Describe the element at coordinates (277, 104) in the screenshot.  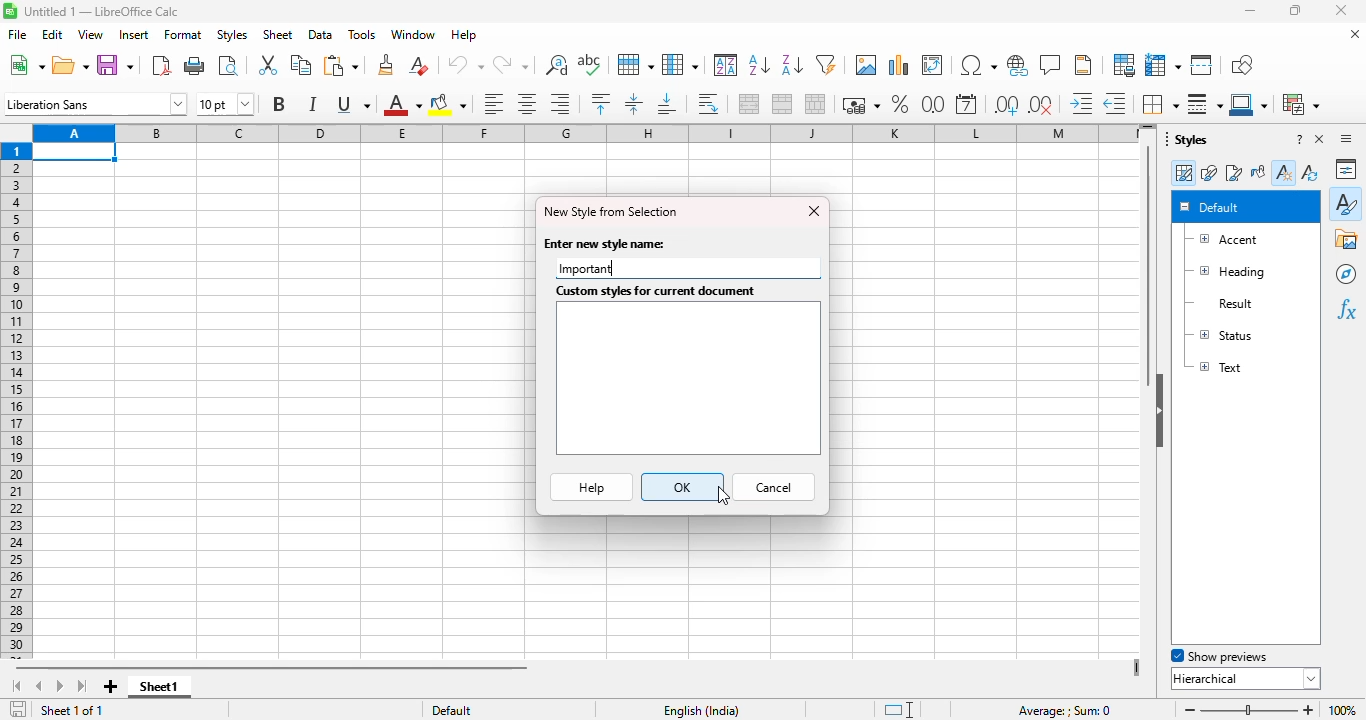
I see `bold` at that location.